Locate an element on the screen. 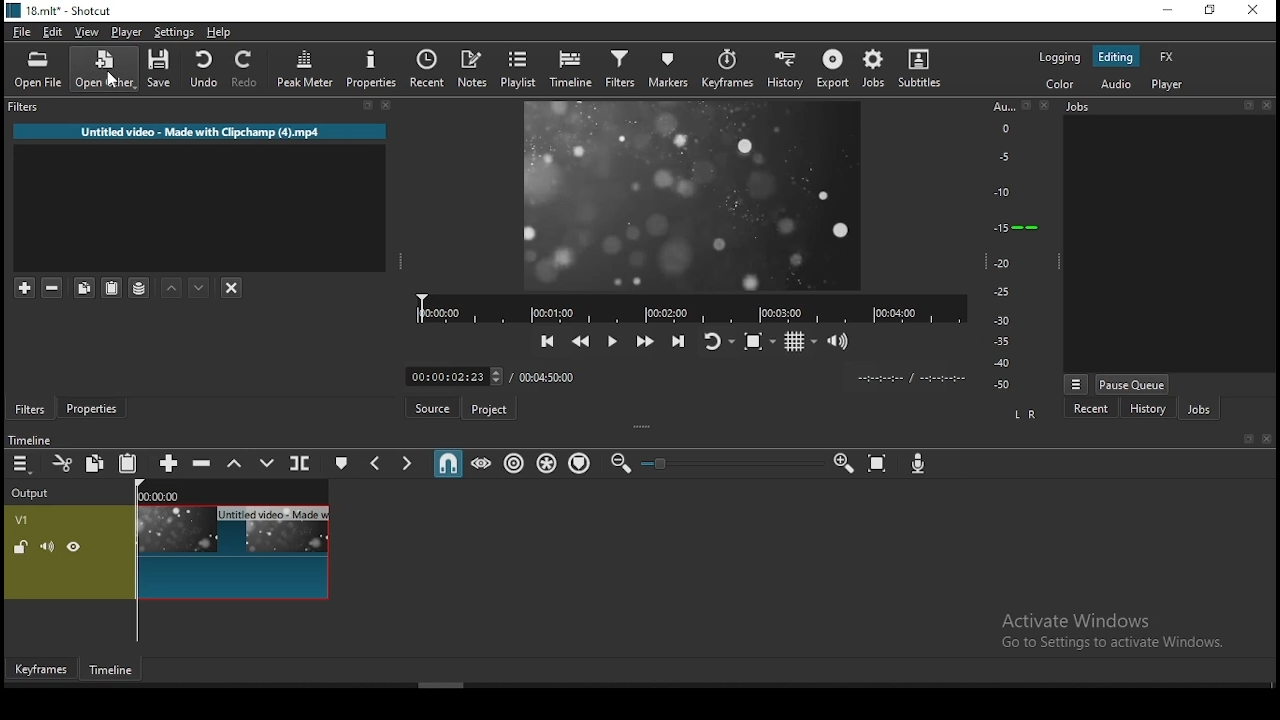 This screenshot has height=720, width=1280. export is located at coordinates (832, 67).